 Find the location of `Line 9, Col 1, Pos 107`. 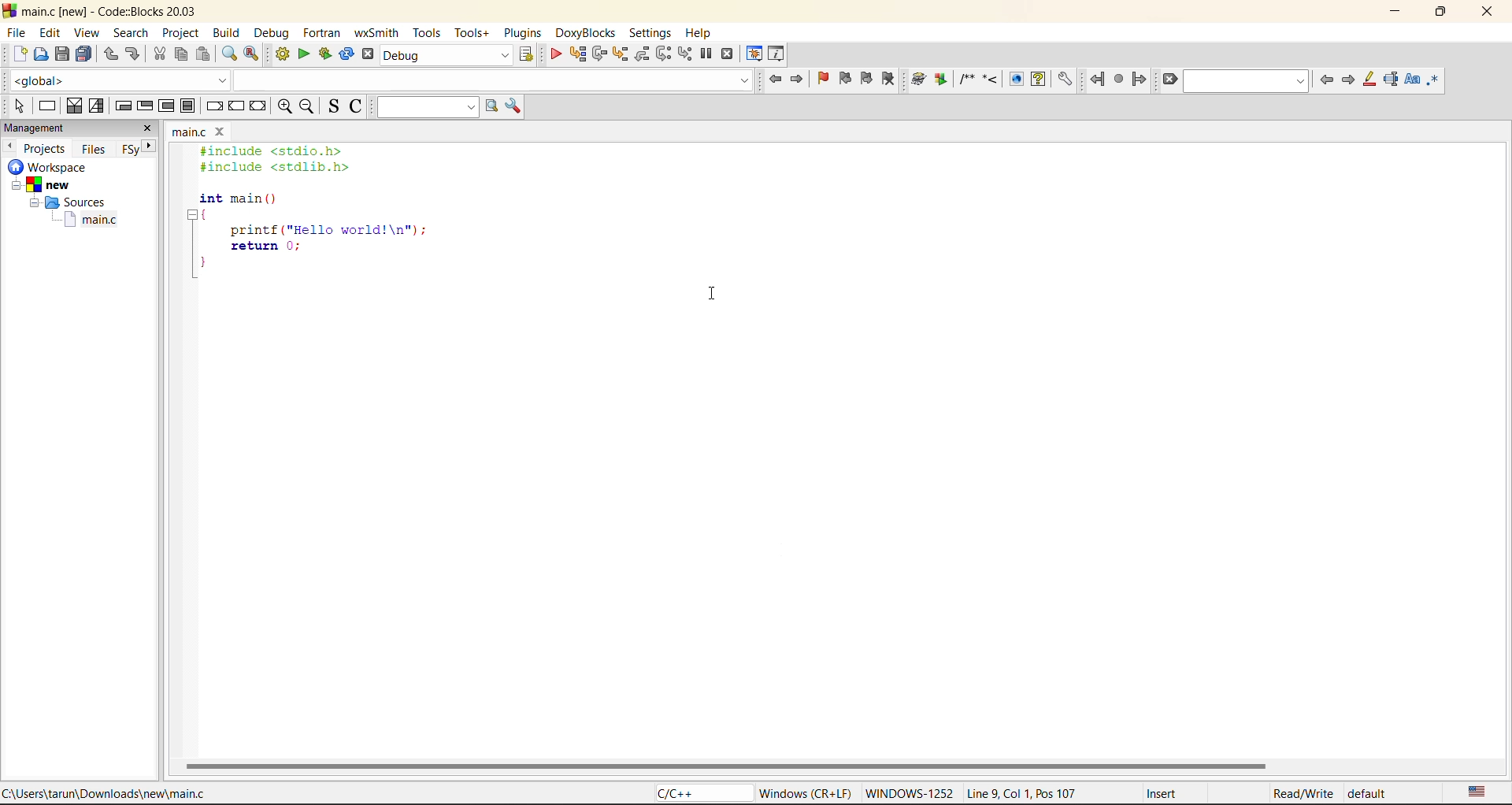

Line 9, Col 1, Pos 107 is located at coordinates (1021, 796).